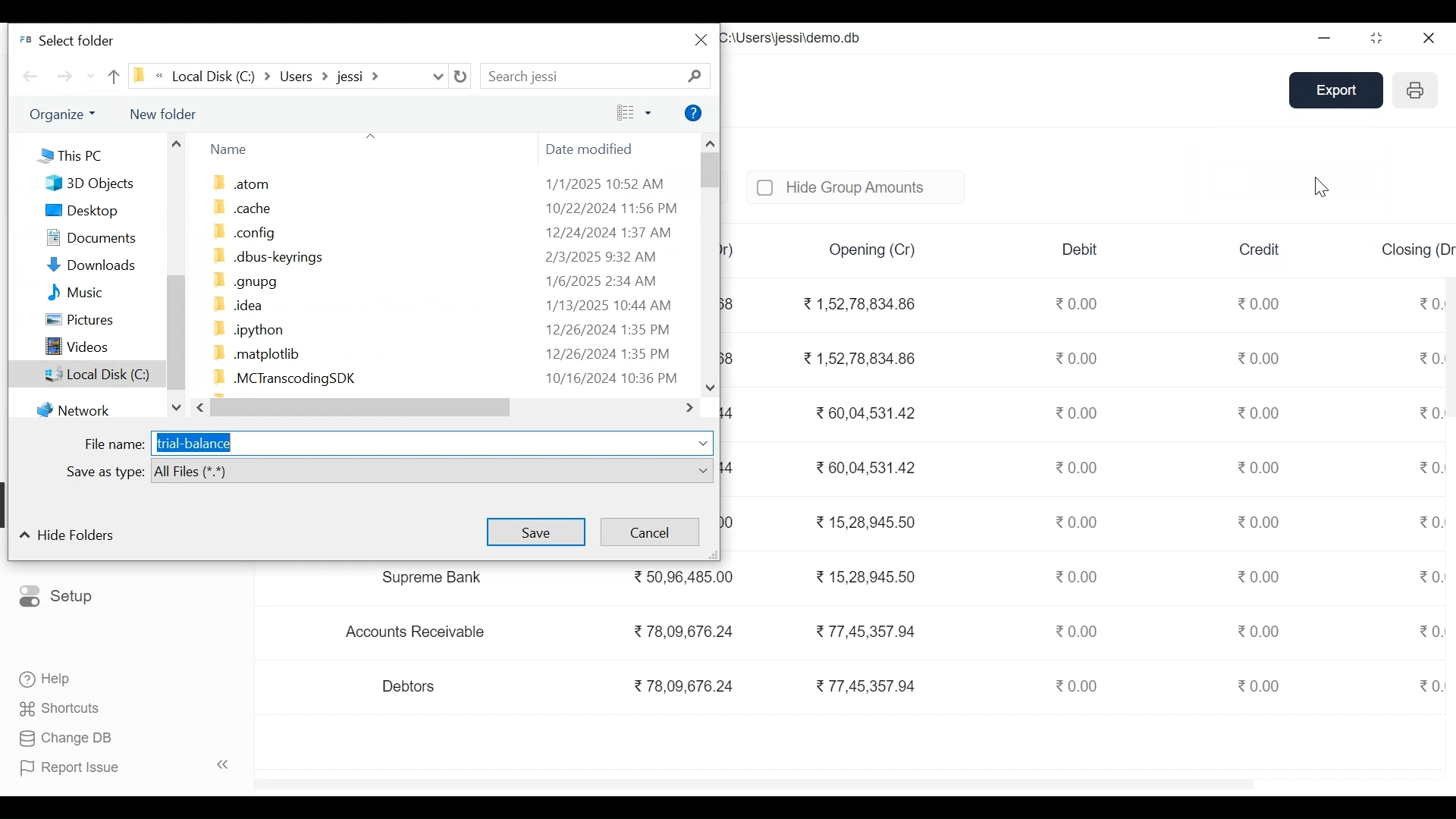 The width and height of the screenshot is (1456, 819). What do you see at coordinates (434, 472) in the screenshot?
I see `All Files (*.*)` at bounding box center [434, 472].